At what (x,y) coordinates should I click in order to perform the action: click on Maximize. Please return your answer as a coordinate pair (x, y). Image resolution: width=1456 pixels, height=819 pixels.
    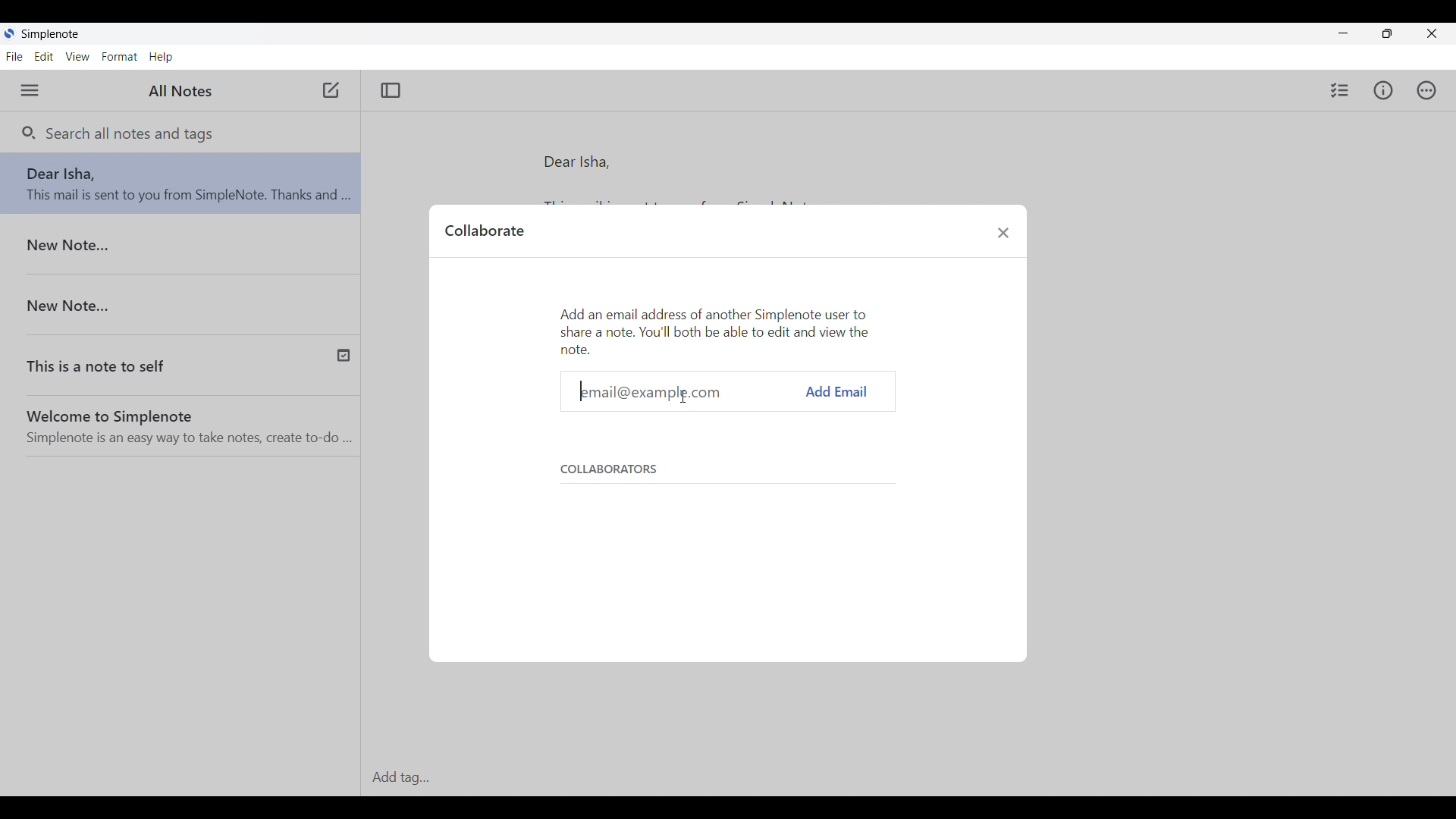
    Looking at the image, I should click on (1387, 33).